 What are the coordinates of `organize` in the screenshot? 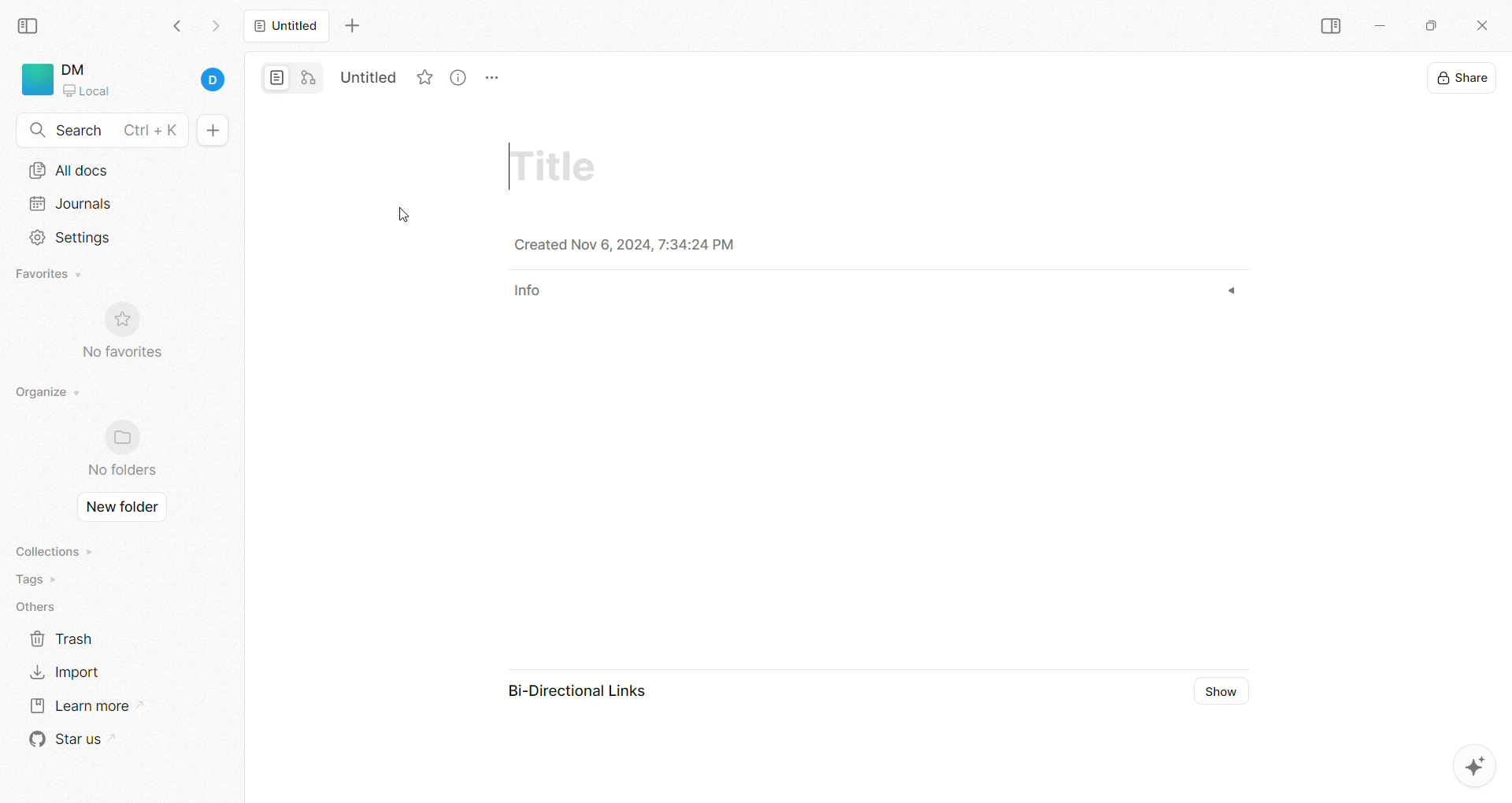 It's located at (43, 393).